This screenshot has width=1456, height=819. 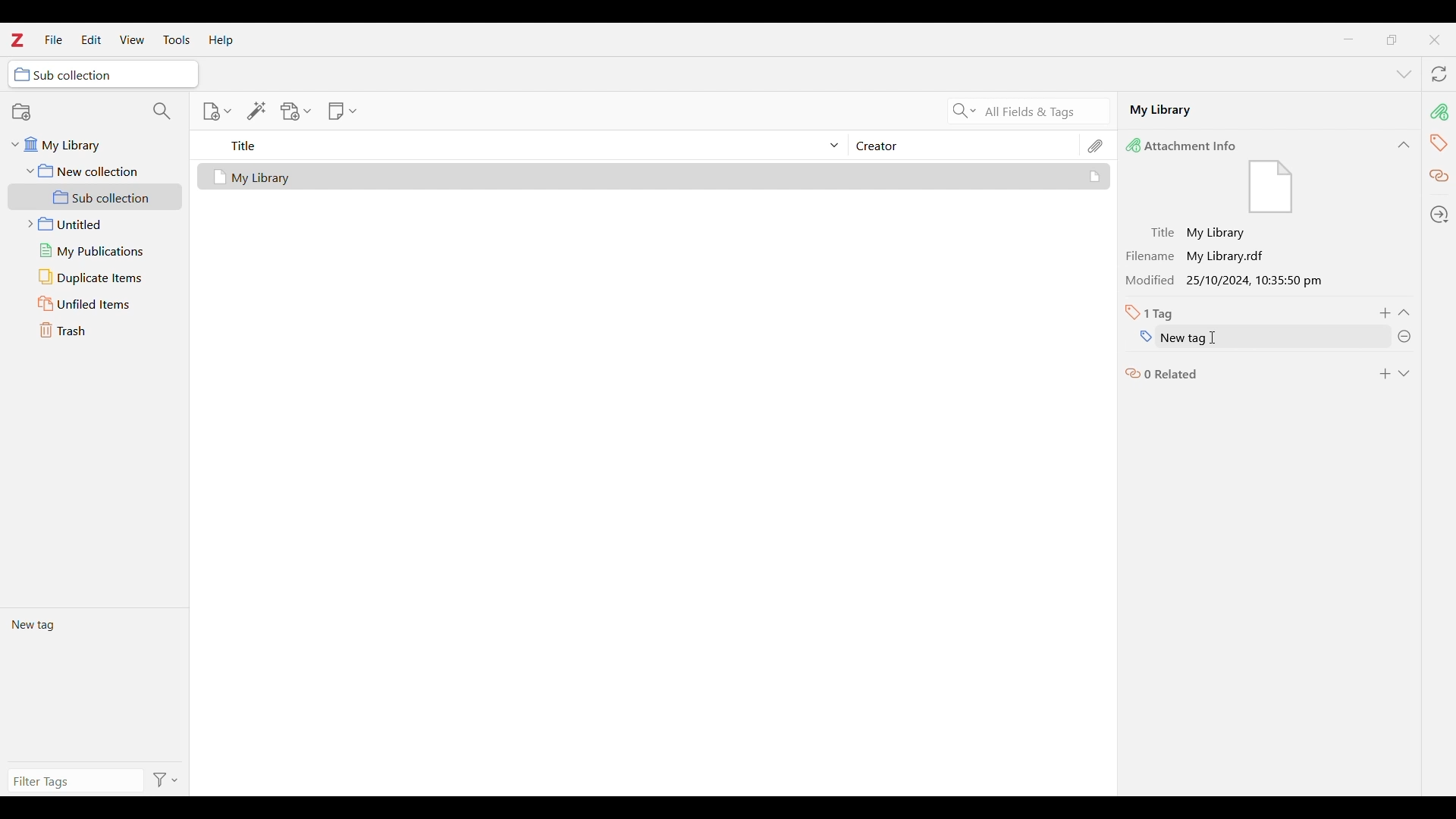 I want to click on Type in filter tags, so click(x=73, y=783).